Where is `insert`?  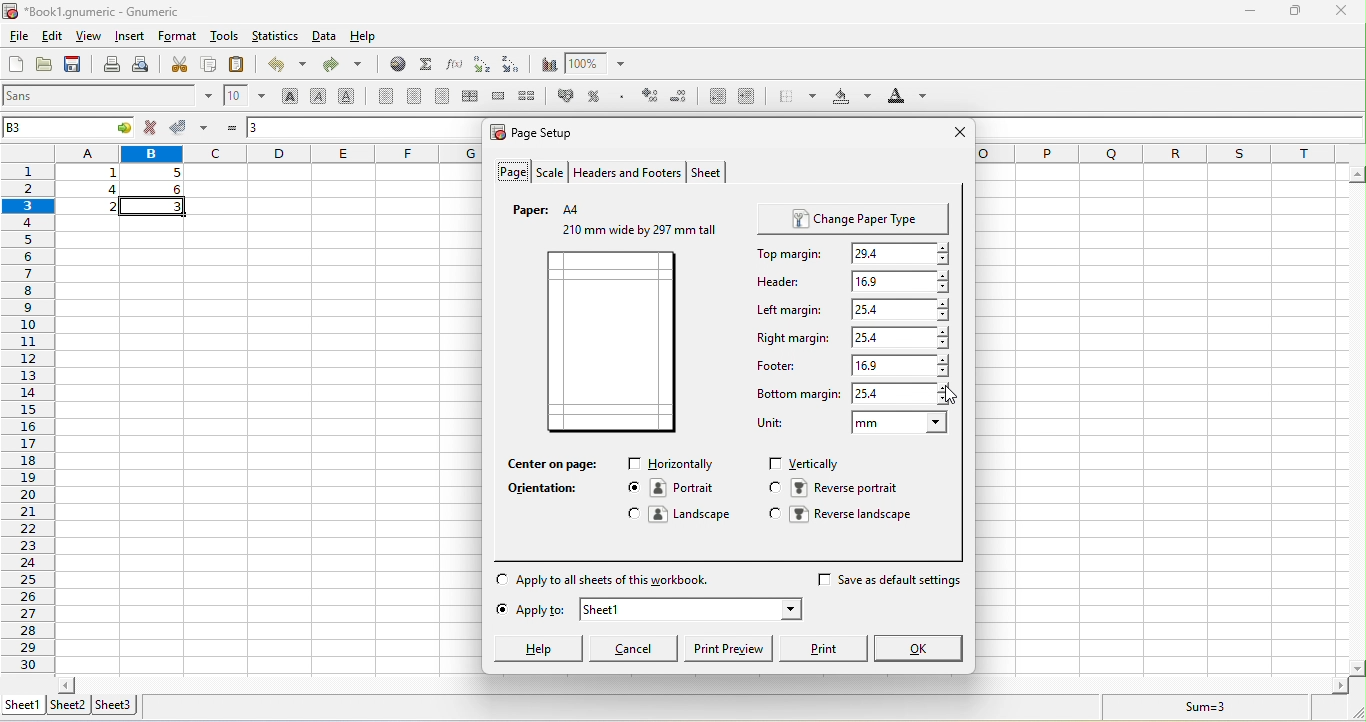
insert is located at coordinates (129, 37).